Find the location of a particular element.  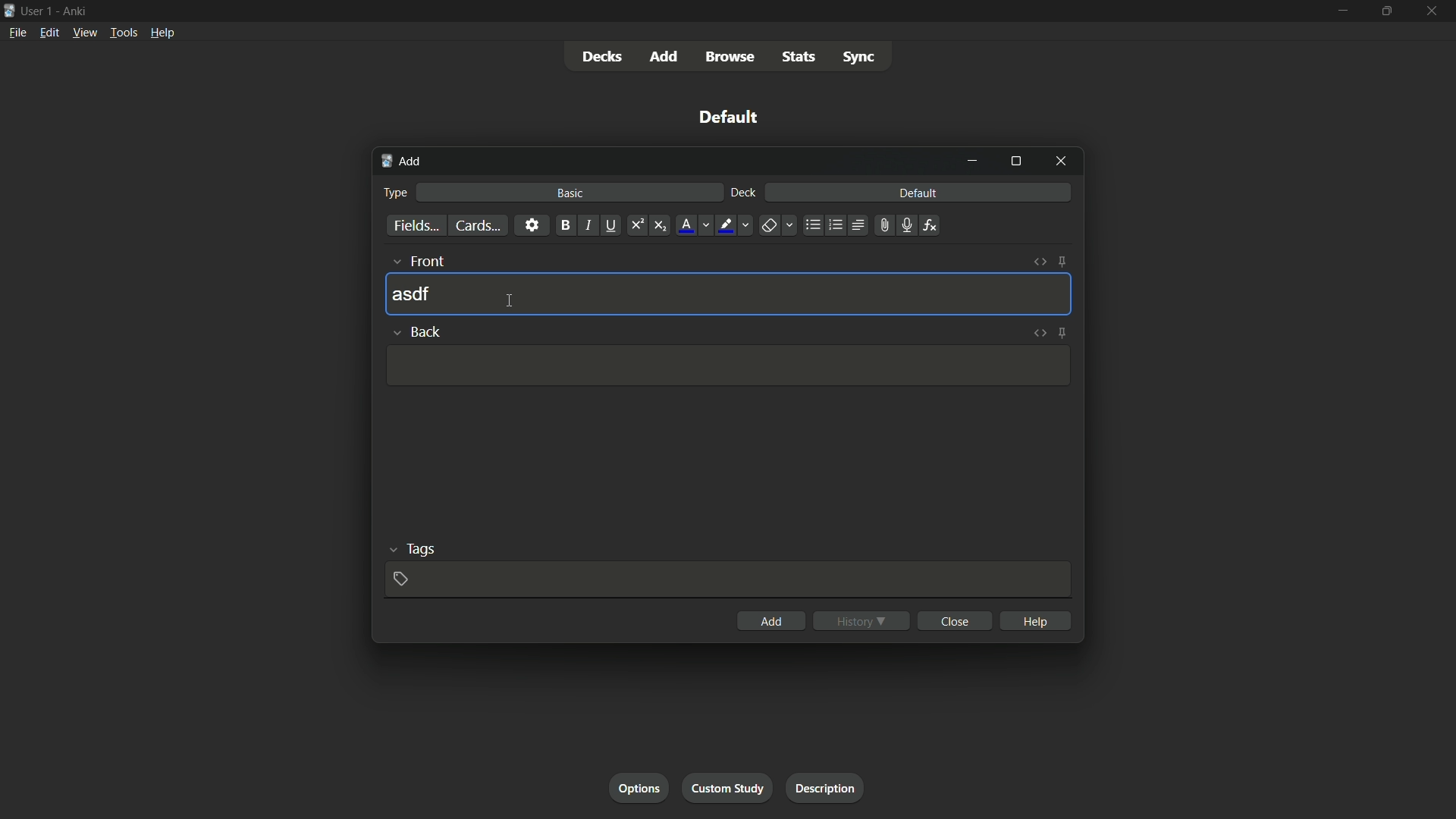

record audio is located at coordinates (908, 224).